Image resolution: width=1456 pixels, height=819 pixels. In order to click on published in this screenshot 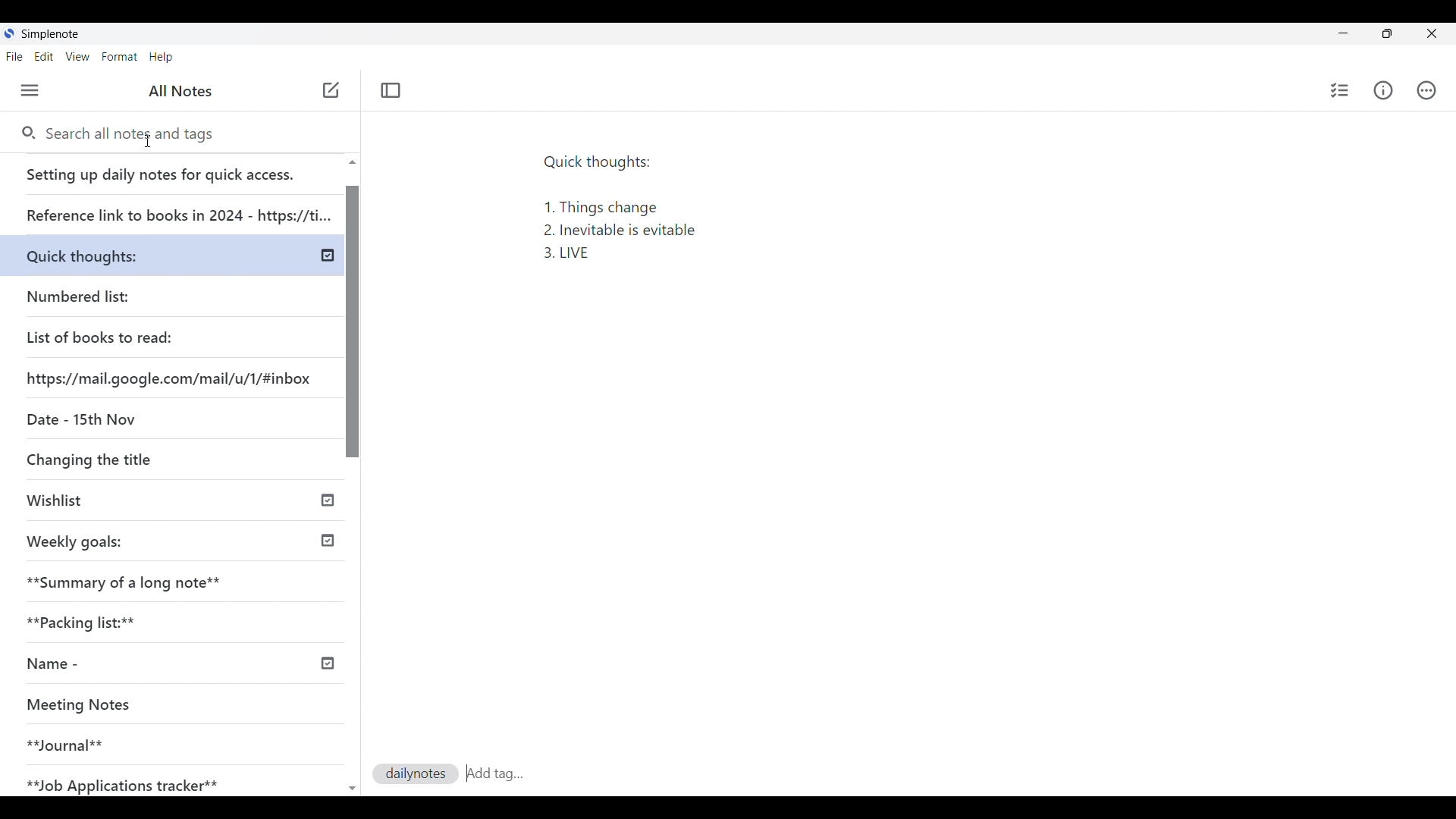, I will do `click(328, 498)`.